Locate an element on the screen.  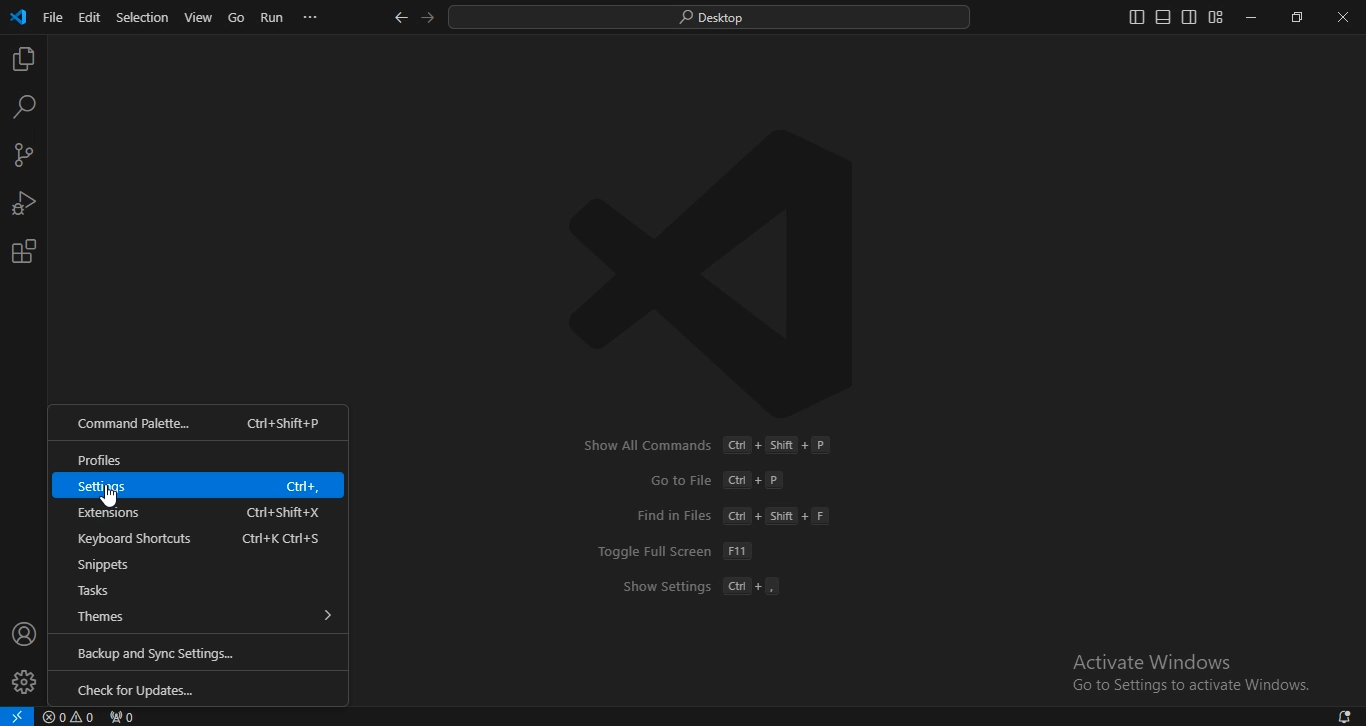
minimize is located at coordinates (1253, 16).